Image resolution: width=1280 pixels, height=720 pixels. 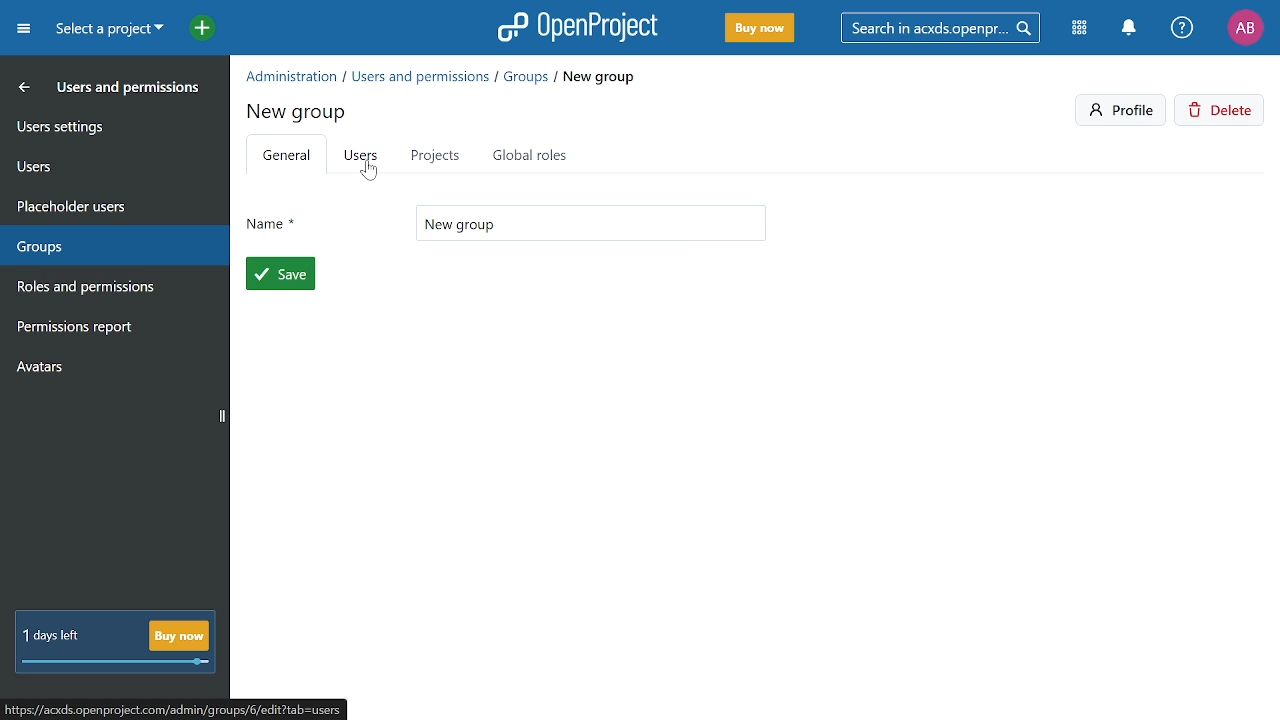 I want to click on Delete, so click(x=1222, y=112).